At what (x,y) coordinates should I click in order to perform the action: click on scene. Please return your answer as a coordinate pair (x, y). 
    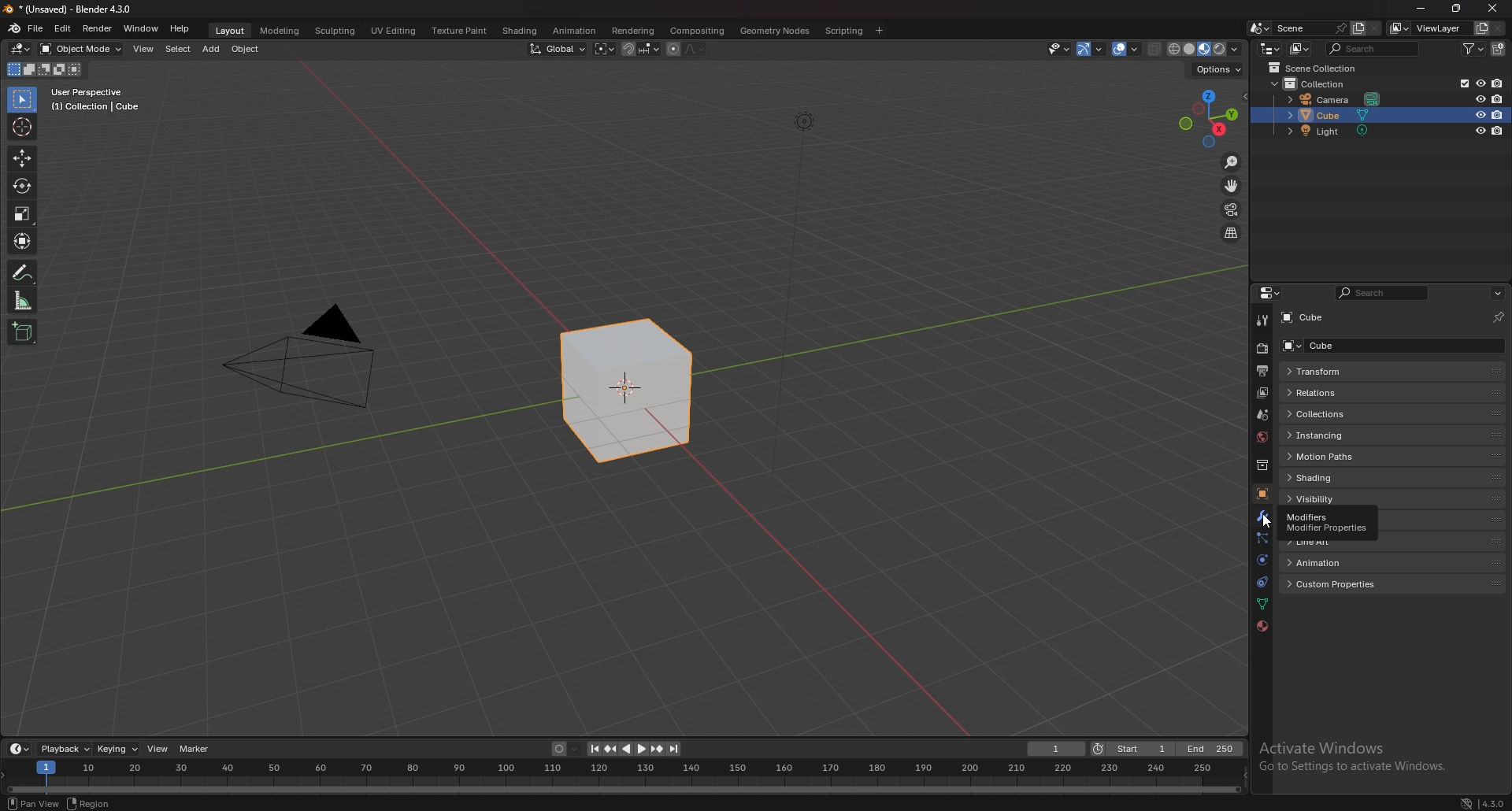
    Looking at the image, I should click on (1262, 413).